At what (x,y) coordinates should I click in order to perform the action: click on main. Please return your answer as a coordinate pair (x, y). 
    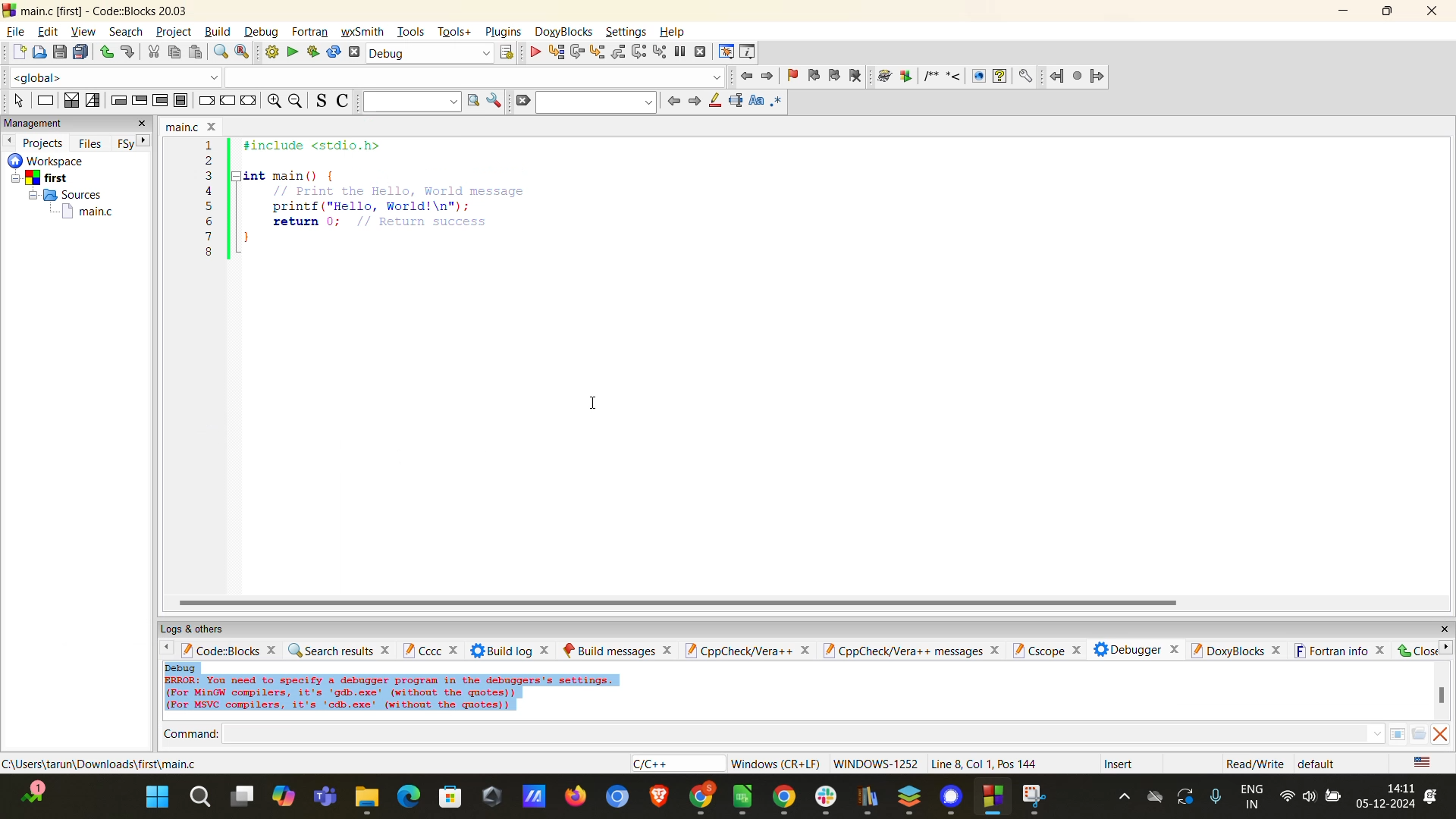
    Looking at the image, I should click on (94, 214).